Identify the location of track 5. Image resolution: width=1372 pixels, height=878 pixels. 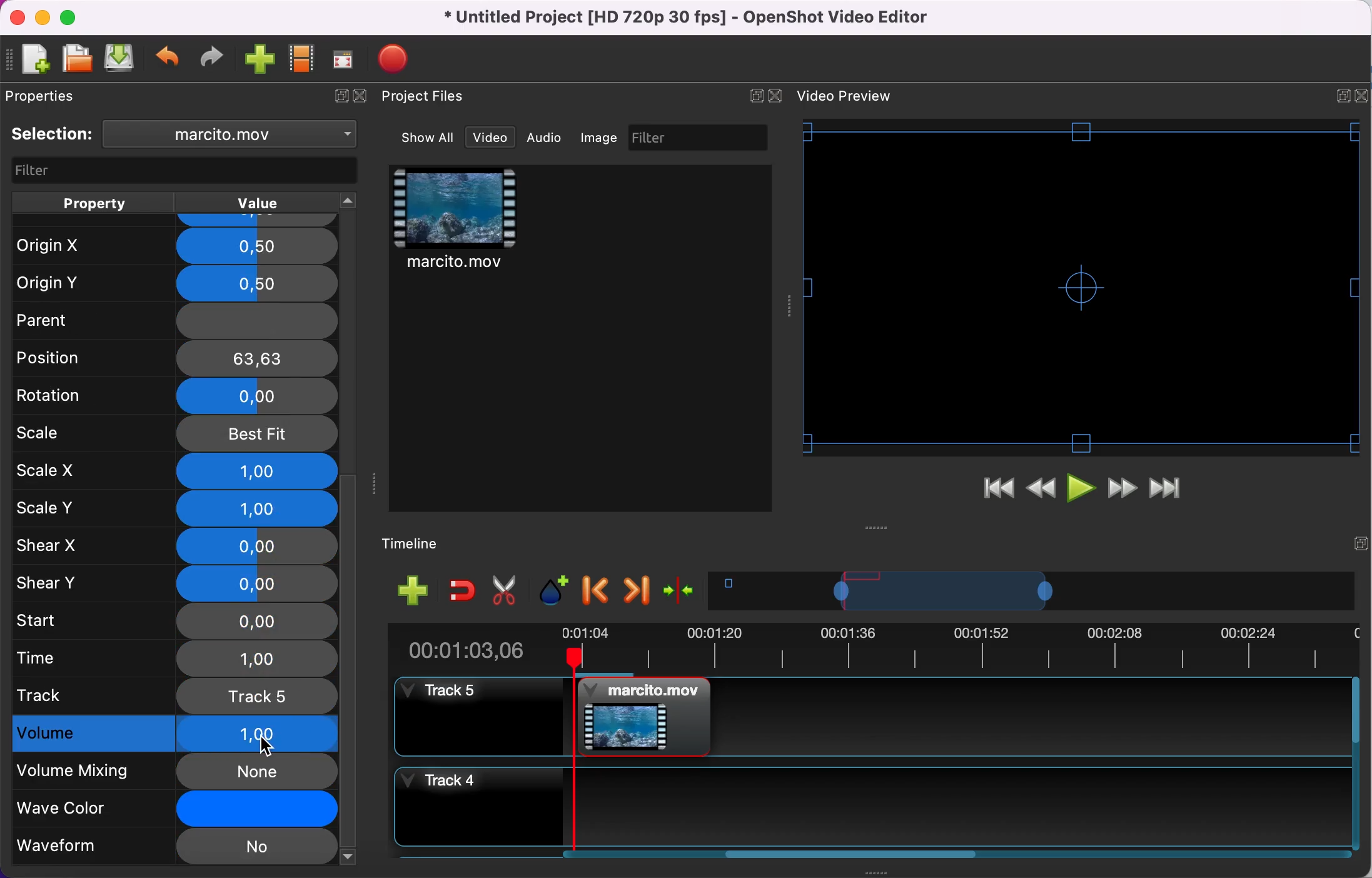
(176, 695).